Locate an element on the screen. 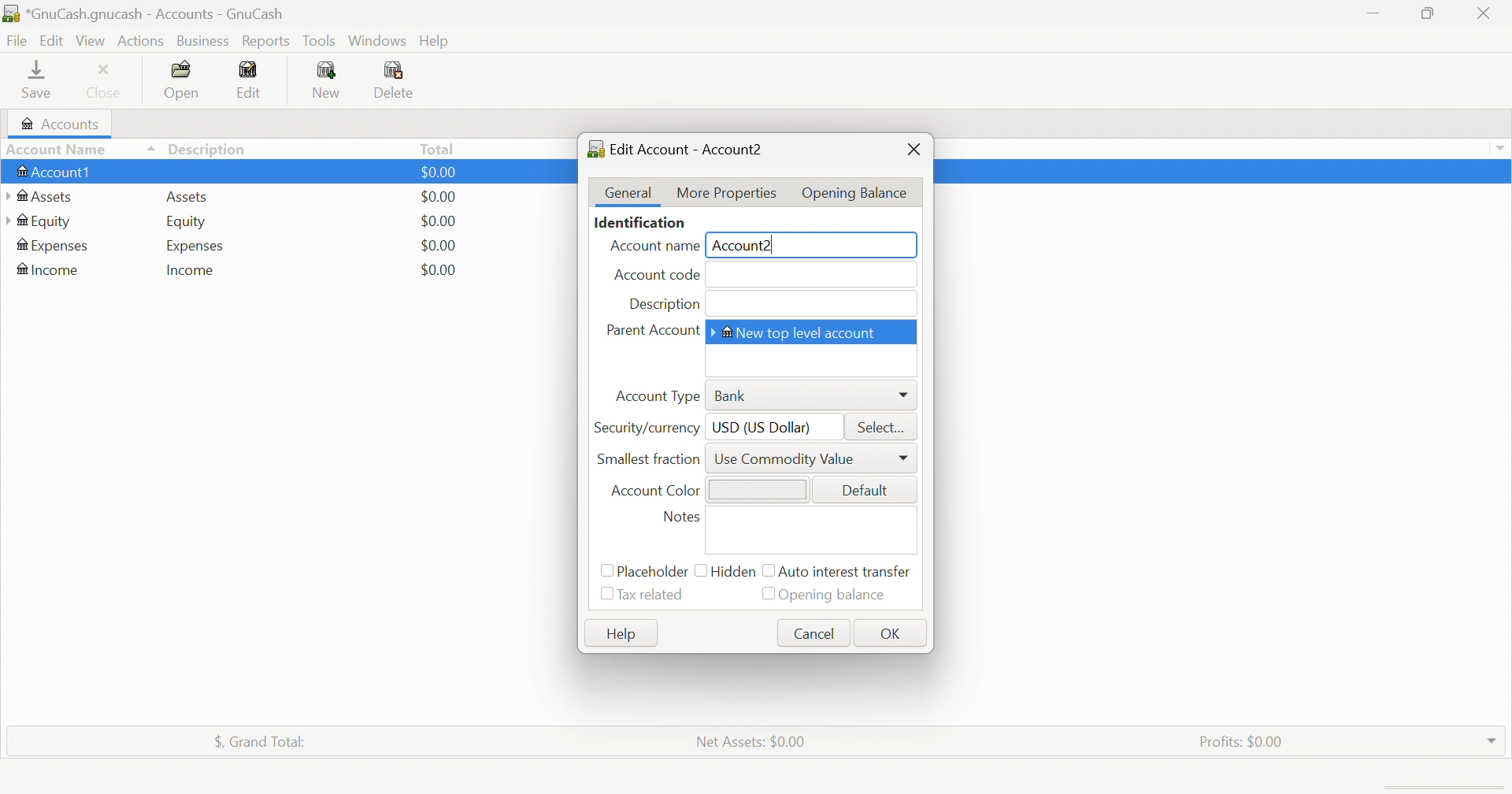  Opening balance is located at coordinates (824, 595).